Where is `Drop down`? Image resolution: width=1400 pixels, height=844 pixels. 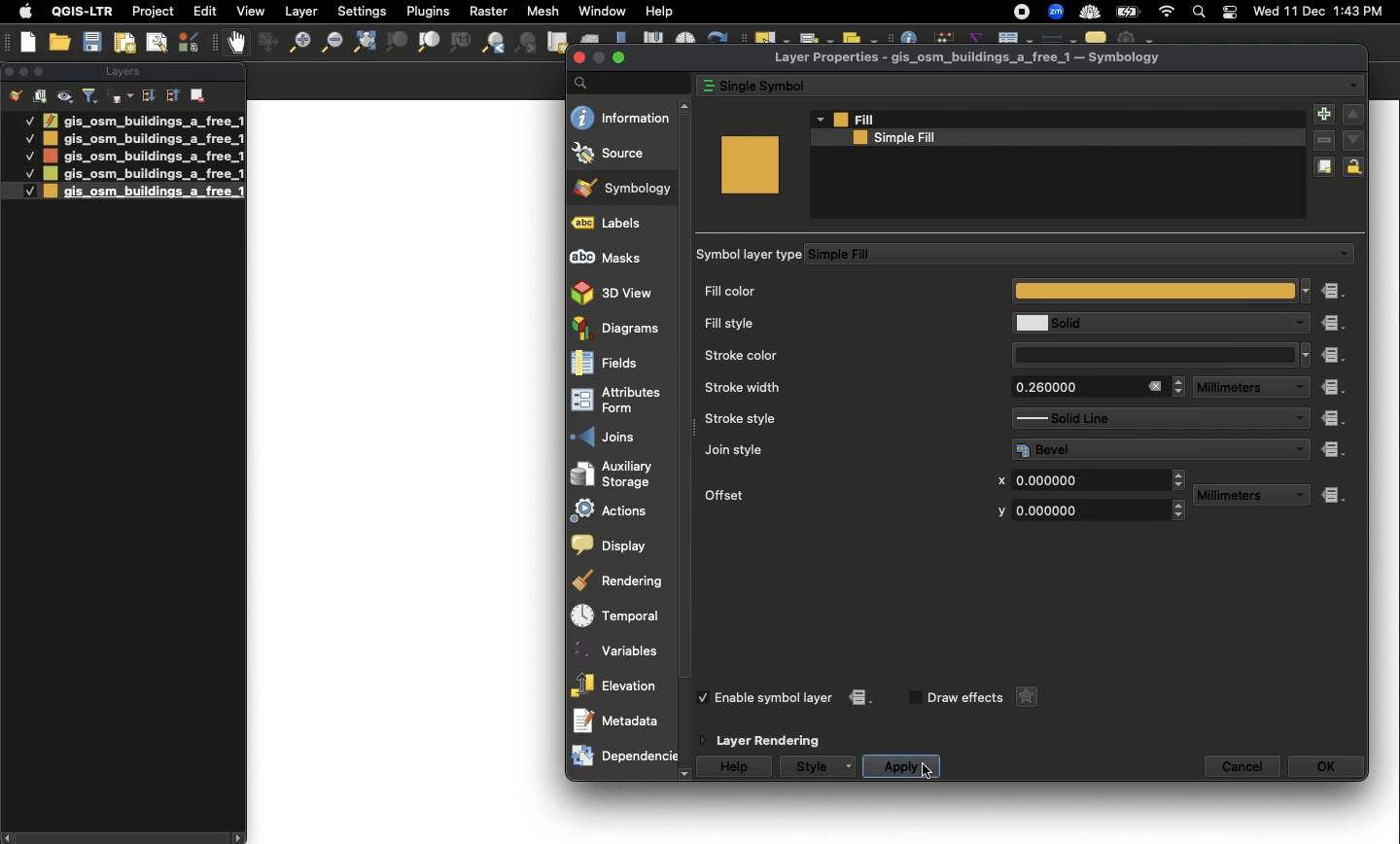
Drop down is located at coordinates (1307, 355).